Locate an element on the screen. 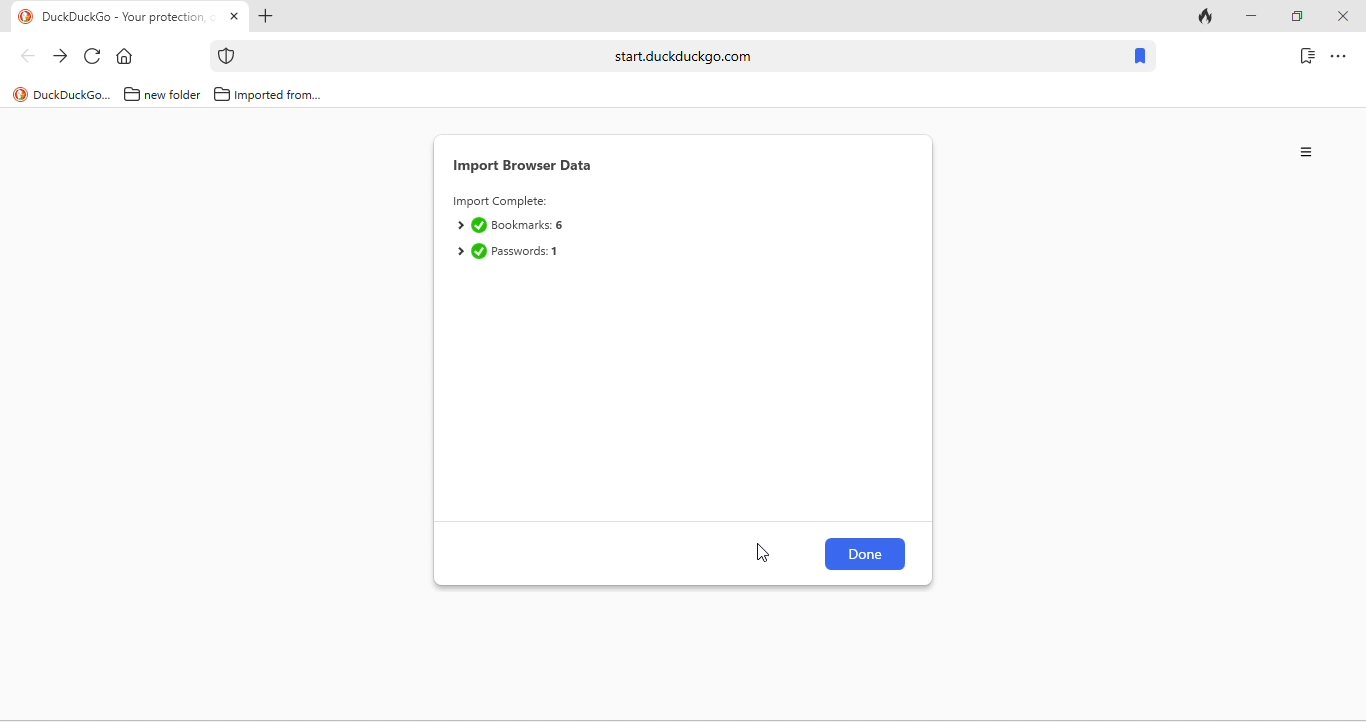  home is located at coordinates (129, 57).